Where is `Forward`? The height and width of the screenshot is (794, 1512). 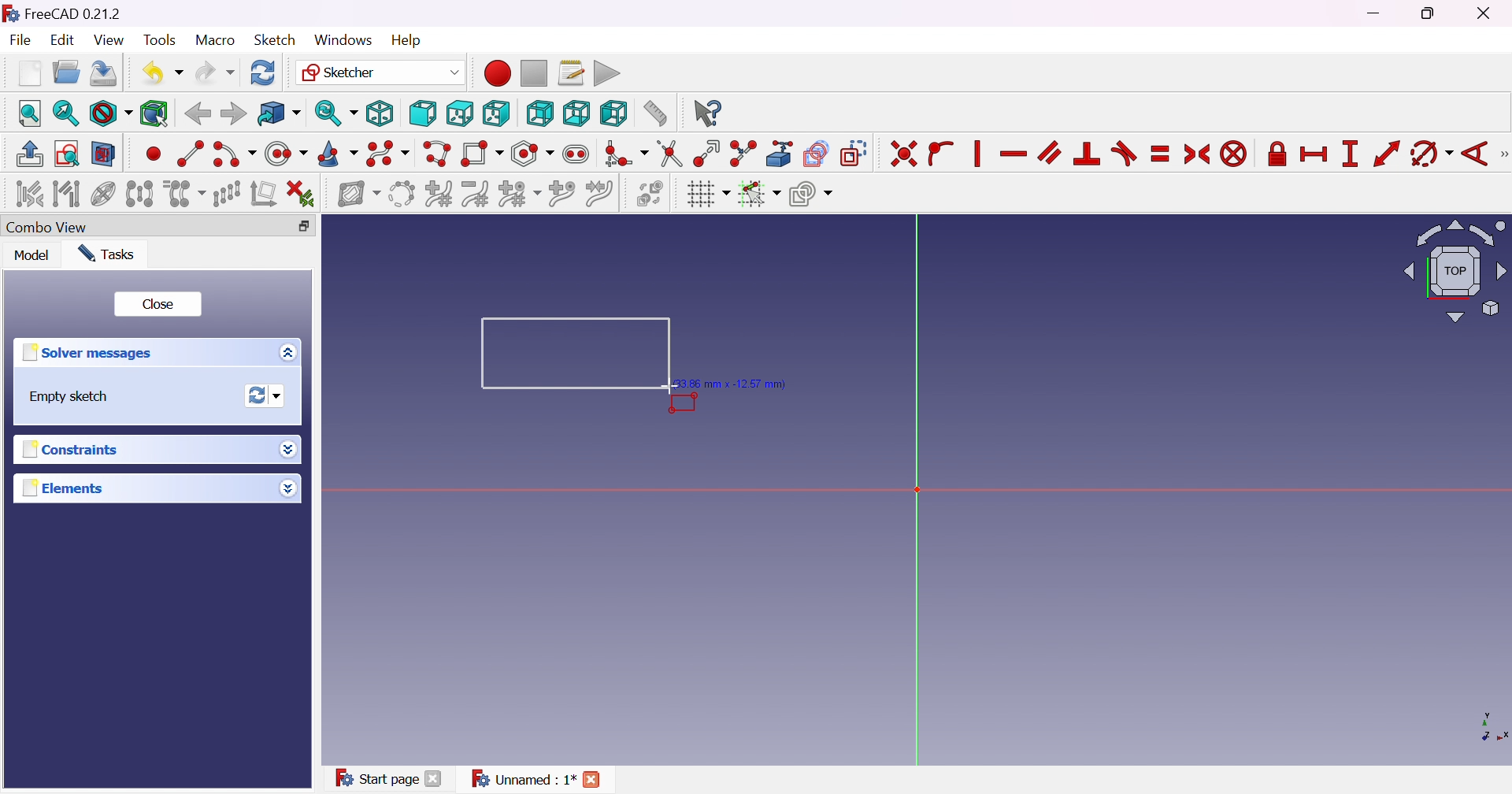
Forward is located at coordinates (234, 113).